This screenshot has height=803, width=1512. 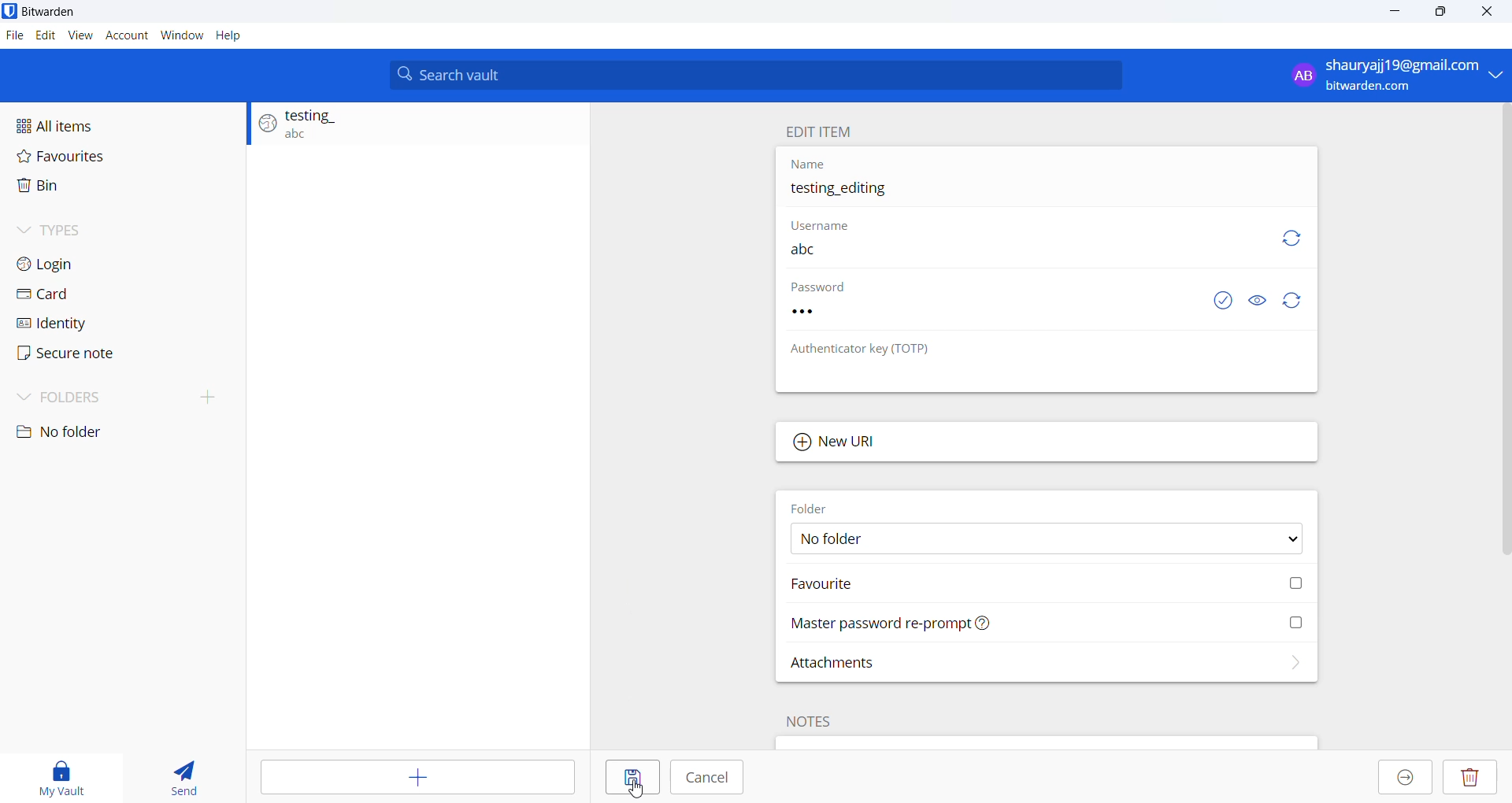 What do you see at coordinates (69, 774) in the screenshot?
I see `My vault` at bounding box center [69, 774].